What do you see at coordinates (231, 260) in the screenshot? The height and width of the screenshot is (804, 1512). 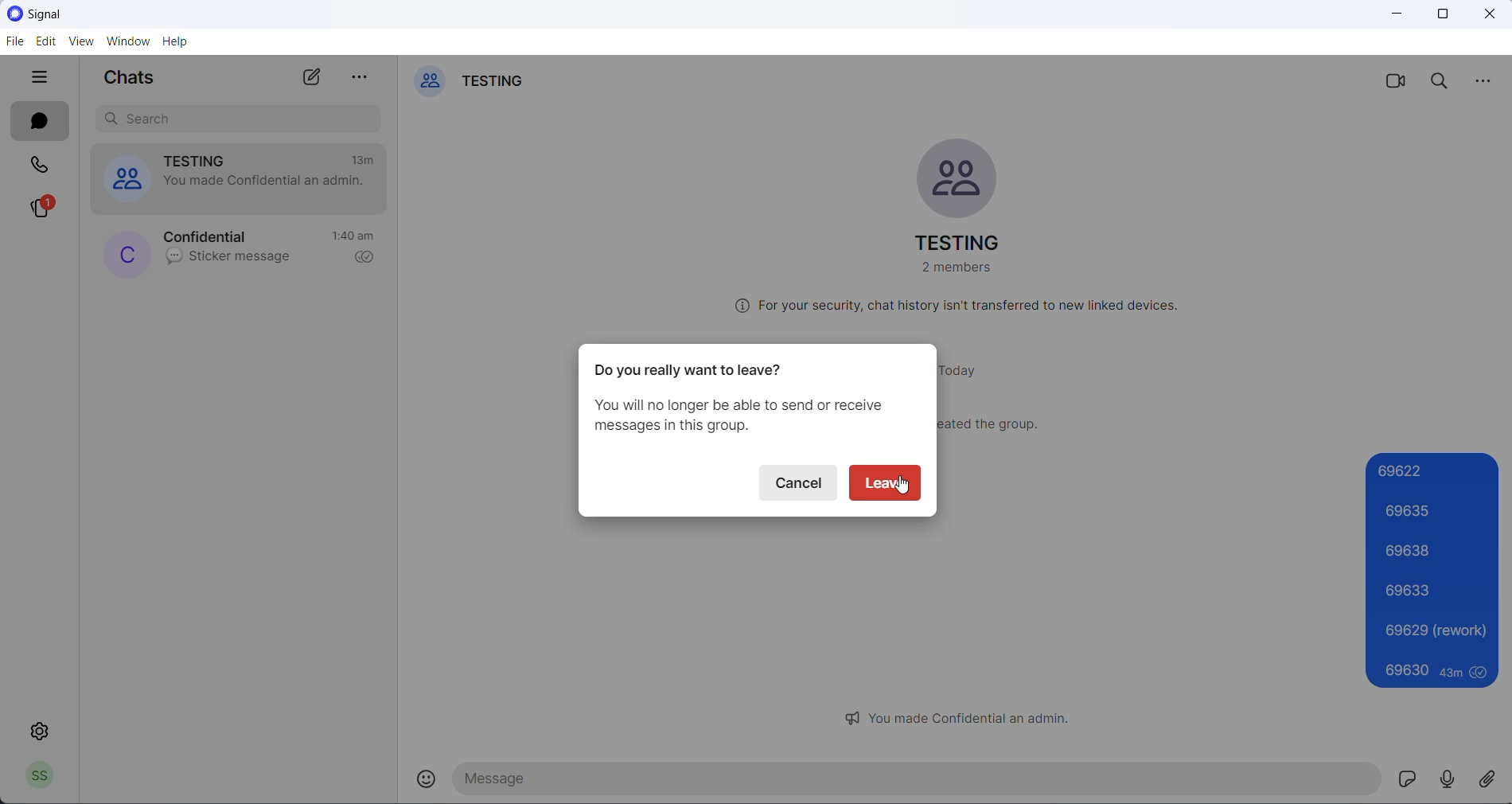 I see `last message` at bounding box center [231, 260].